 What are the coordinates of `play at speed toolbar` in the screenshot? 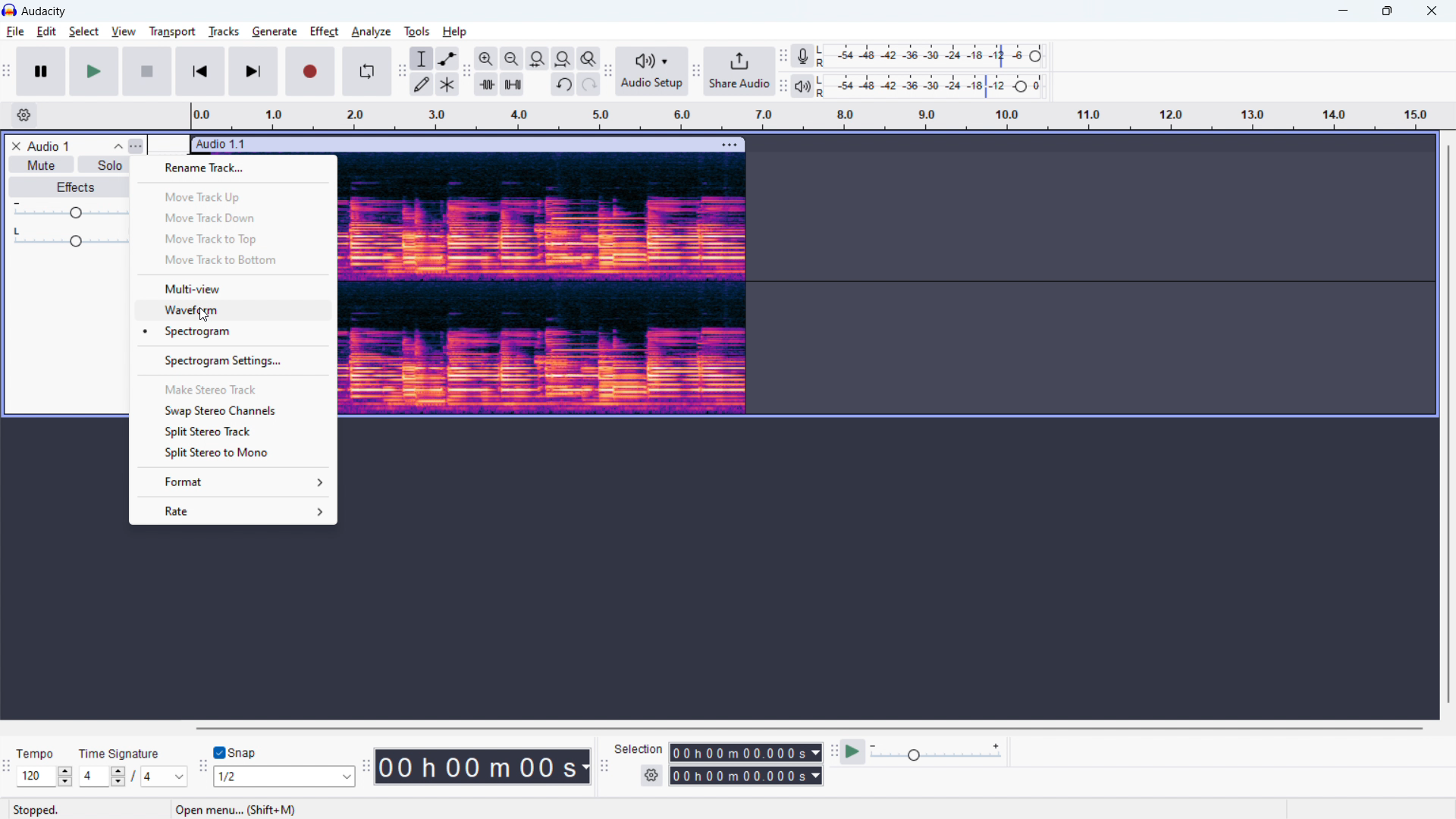 It's located at (833, 752).